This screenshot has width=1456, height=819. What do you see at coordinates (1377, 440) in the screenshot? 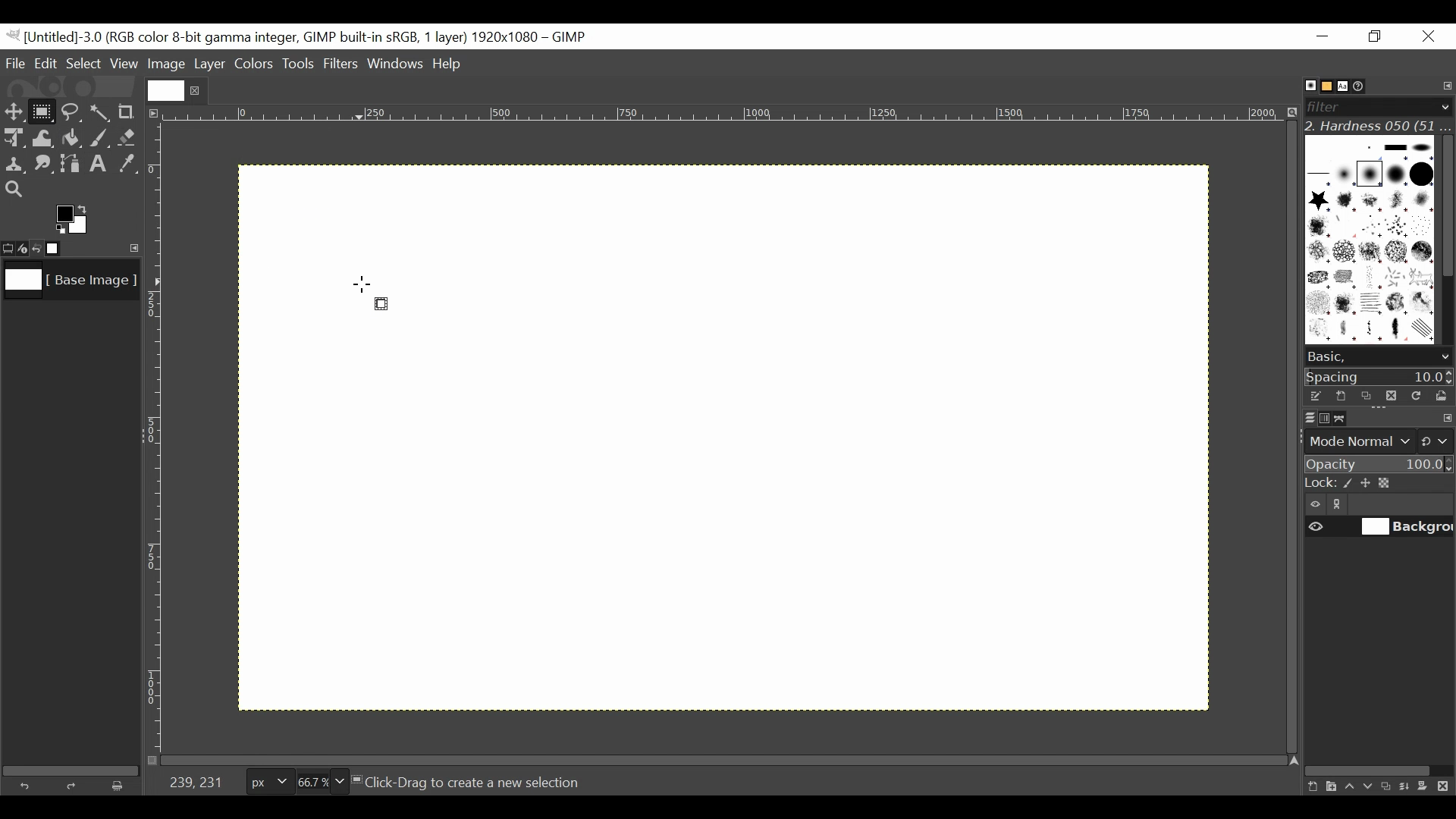
I see `Mode normal` at bounding box center [1377, 440].